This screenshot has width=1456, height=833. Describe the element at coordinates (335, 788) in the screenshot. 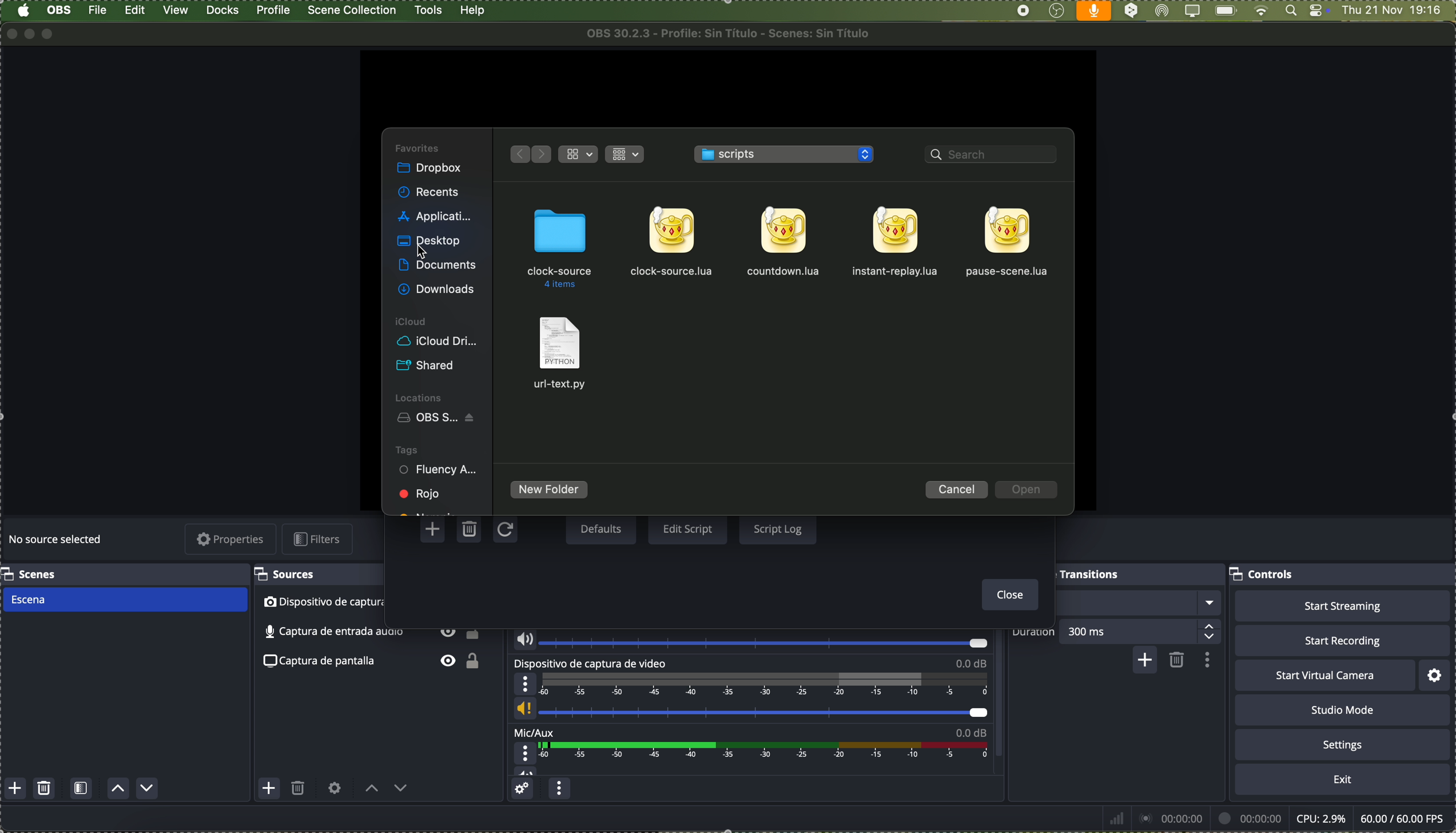

I see `open source properties` at that location.